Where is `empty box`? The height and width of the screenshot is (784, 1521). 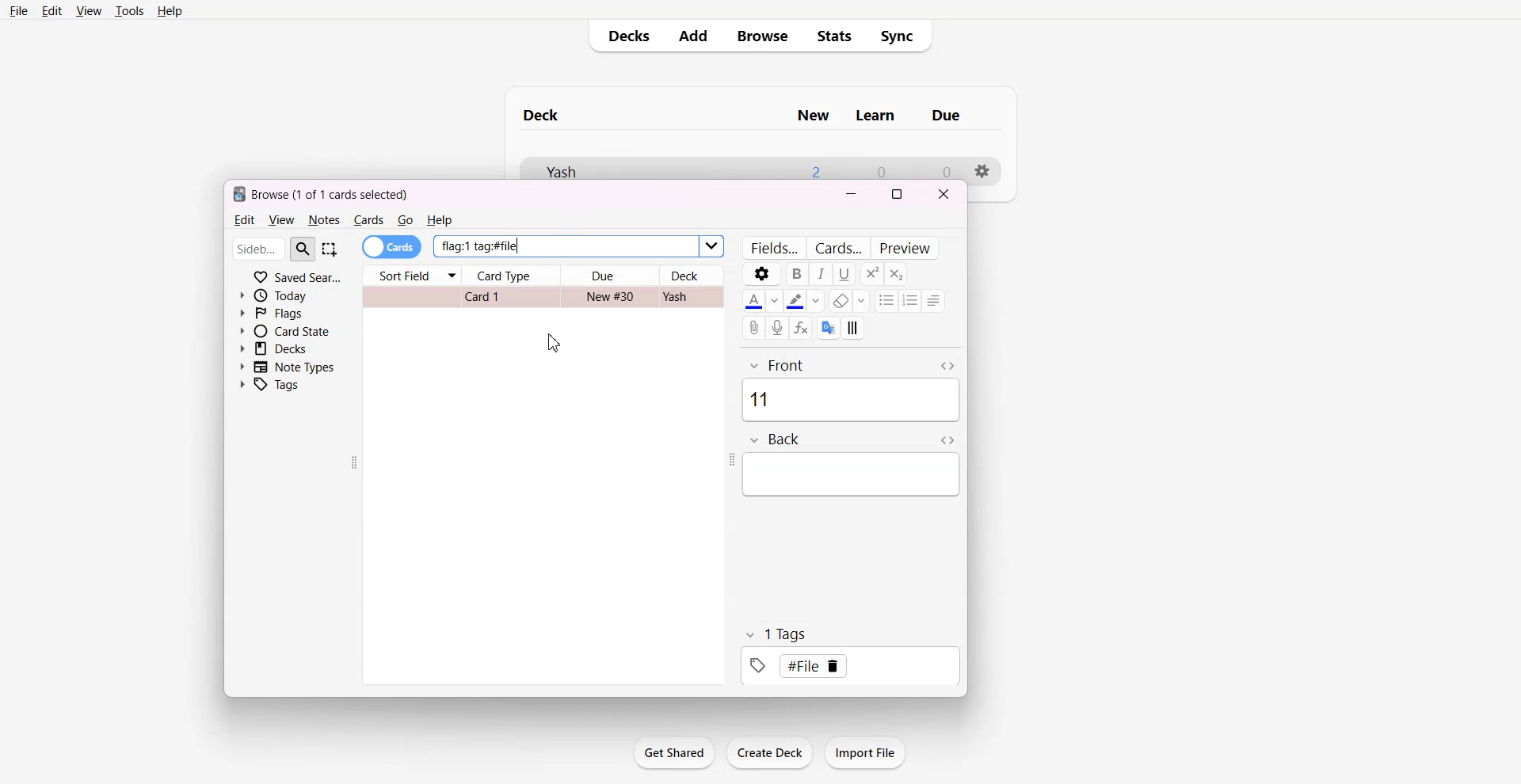 empty box is located at coordinates (857, 479).